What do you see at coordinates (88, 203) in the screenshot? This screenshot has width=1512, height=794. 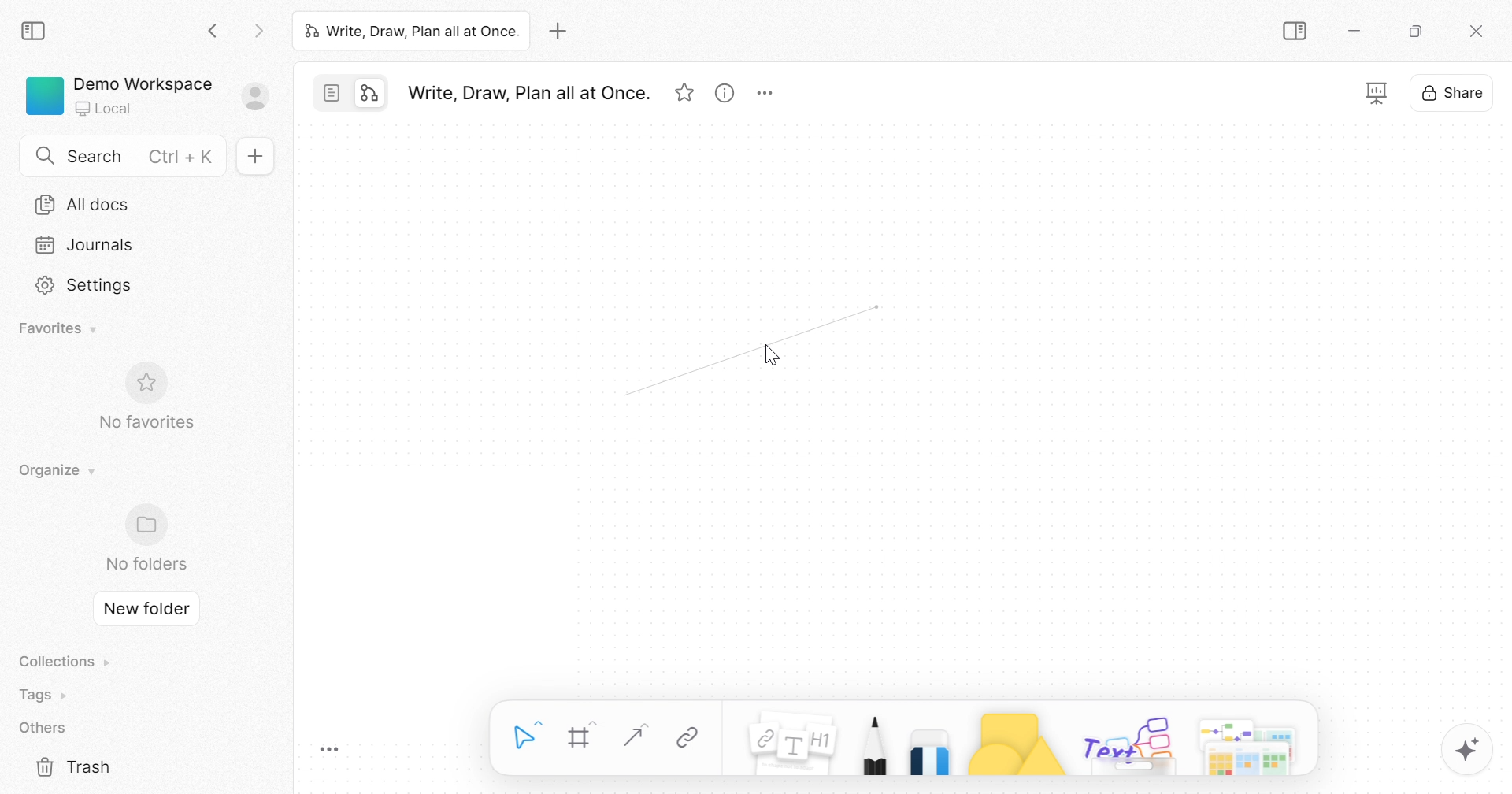 I see `All docs` at bounding box center [88, 203].